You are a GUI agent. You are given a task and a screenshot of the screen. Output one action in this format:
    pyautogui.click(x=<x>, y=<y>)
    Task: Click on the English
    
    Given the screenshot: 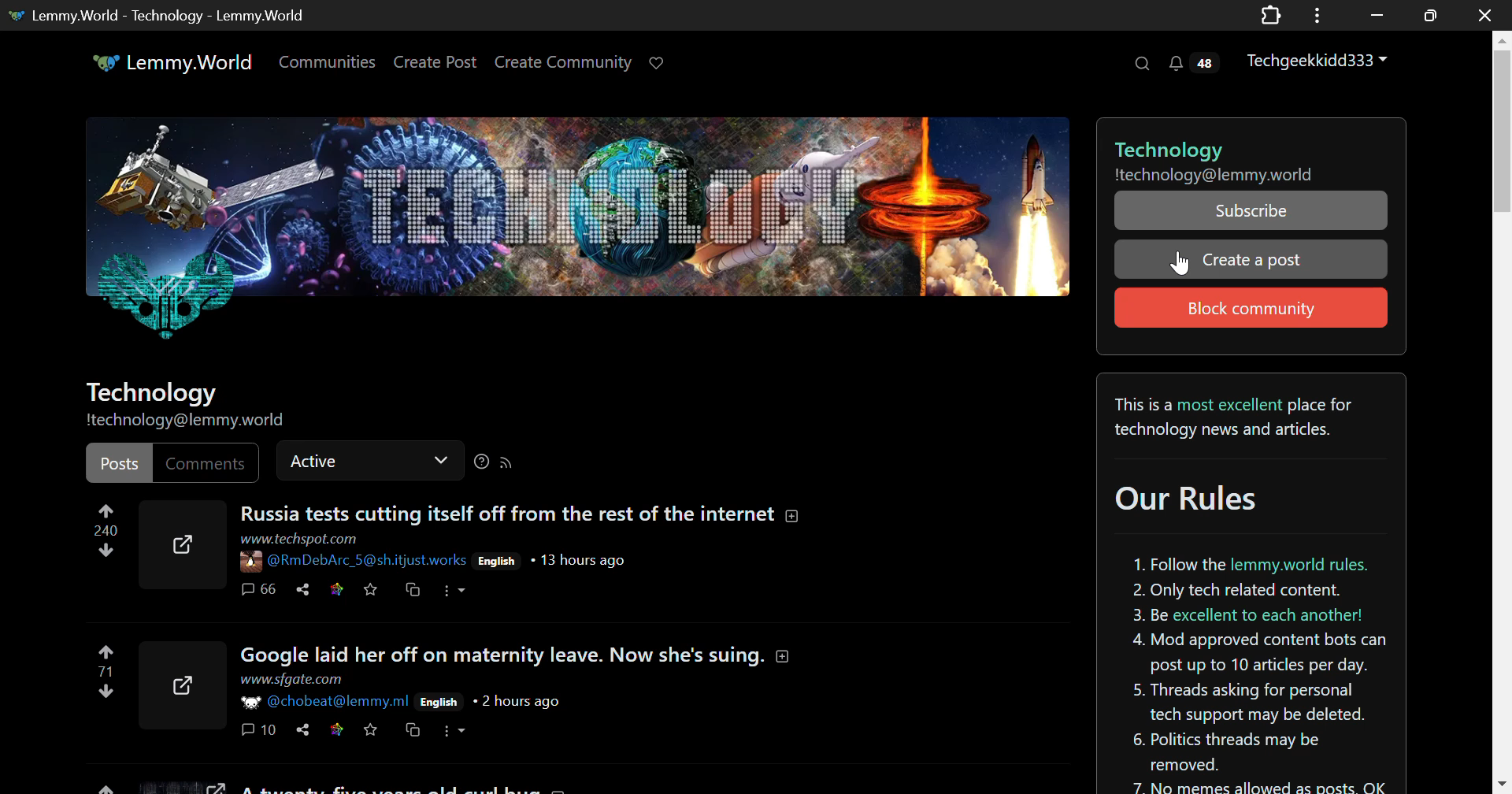 What is the action you would take?
    pyautogui.click(x=499, y=562)
    